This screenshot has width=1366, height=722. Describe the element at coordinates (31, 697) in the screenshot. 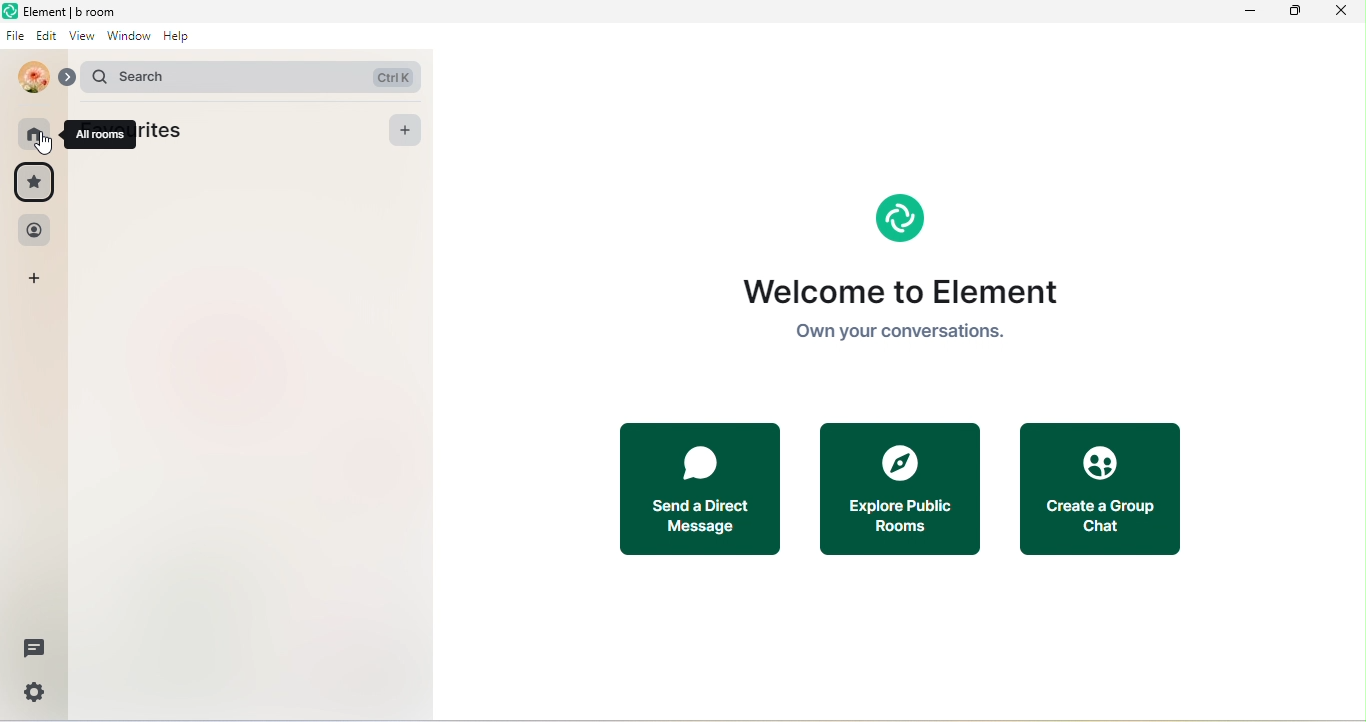

I see `setting` at that location.